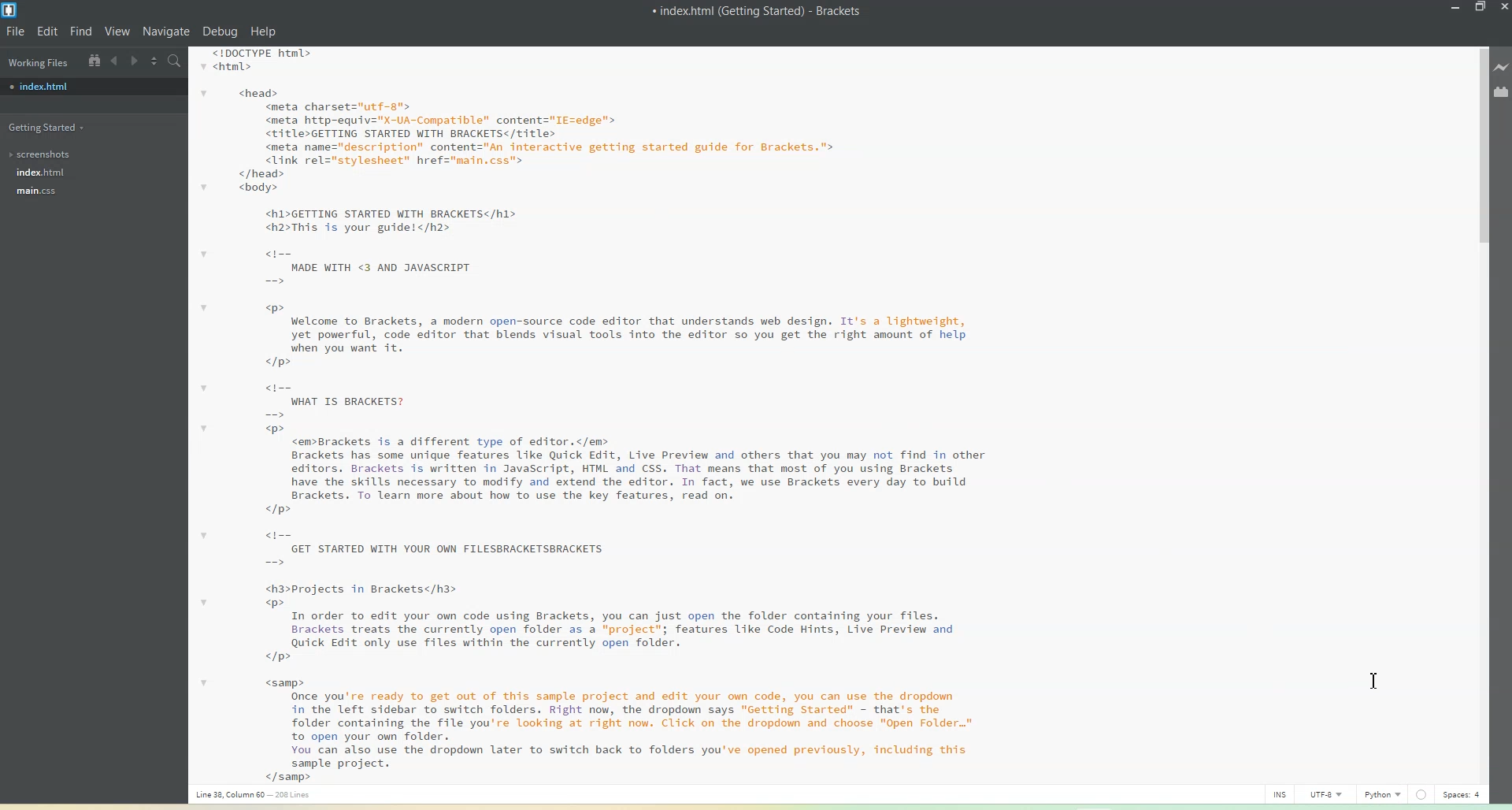  What do you see at coordinates (1456, 8) in the screenshot?
I see `Minimize` at bounding box center [1456, 8].